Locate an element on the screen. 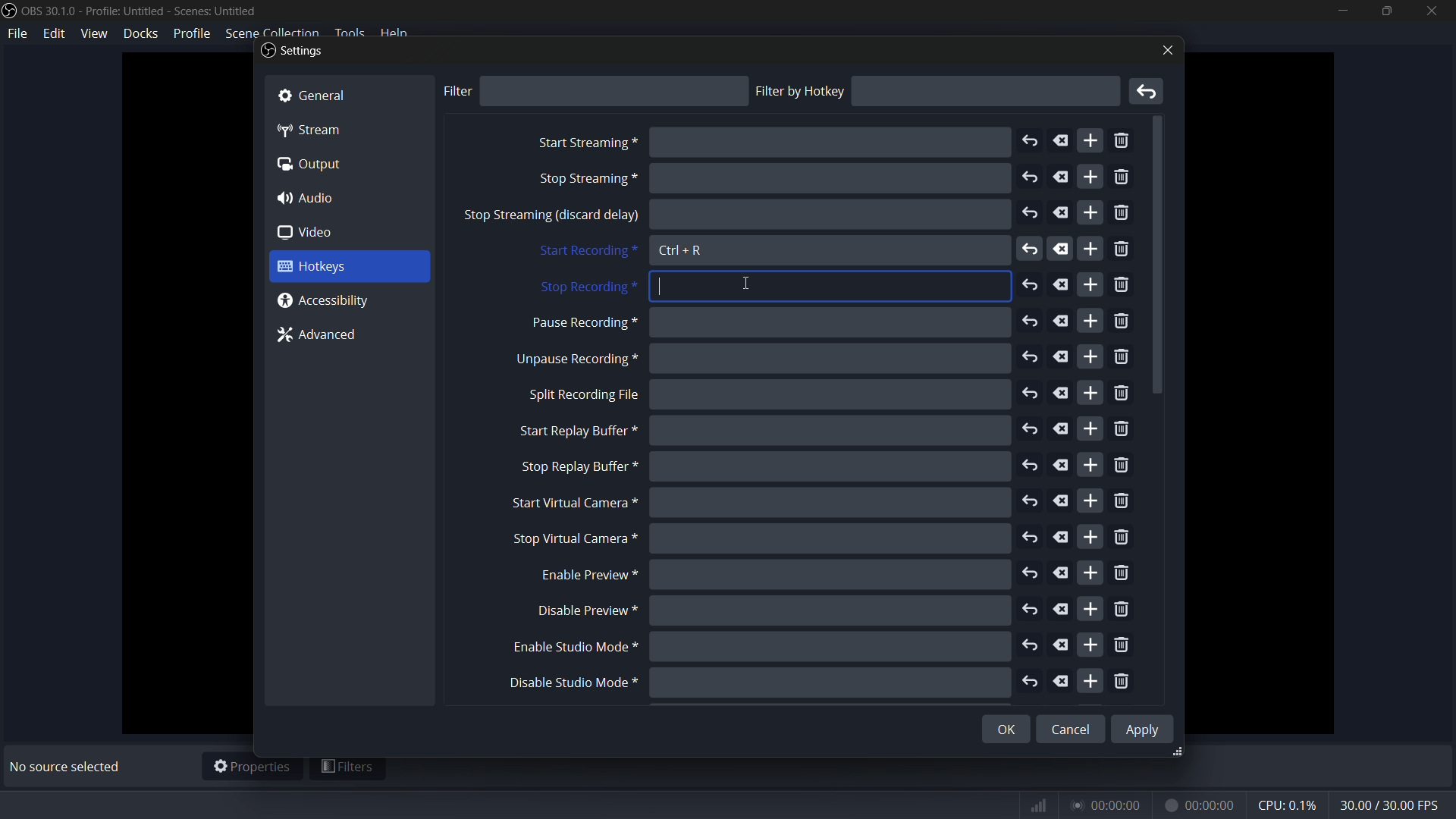 This screenshot has width=1456, height=819. undo is located at coordinates (1030, 607).